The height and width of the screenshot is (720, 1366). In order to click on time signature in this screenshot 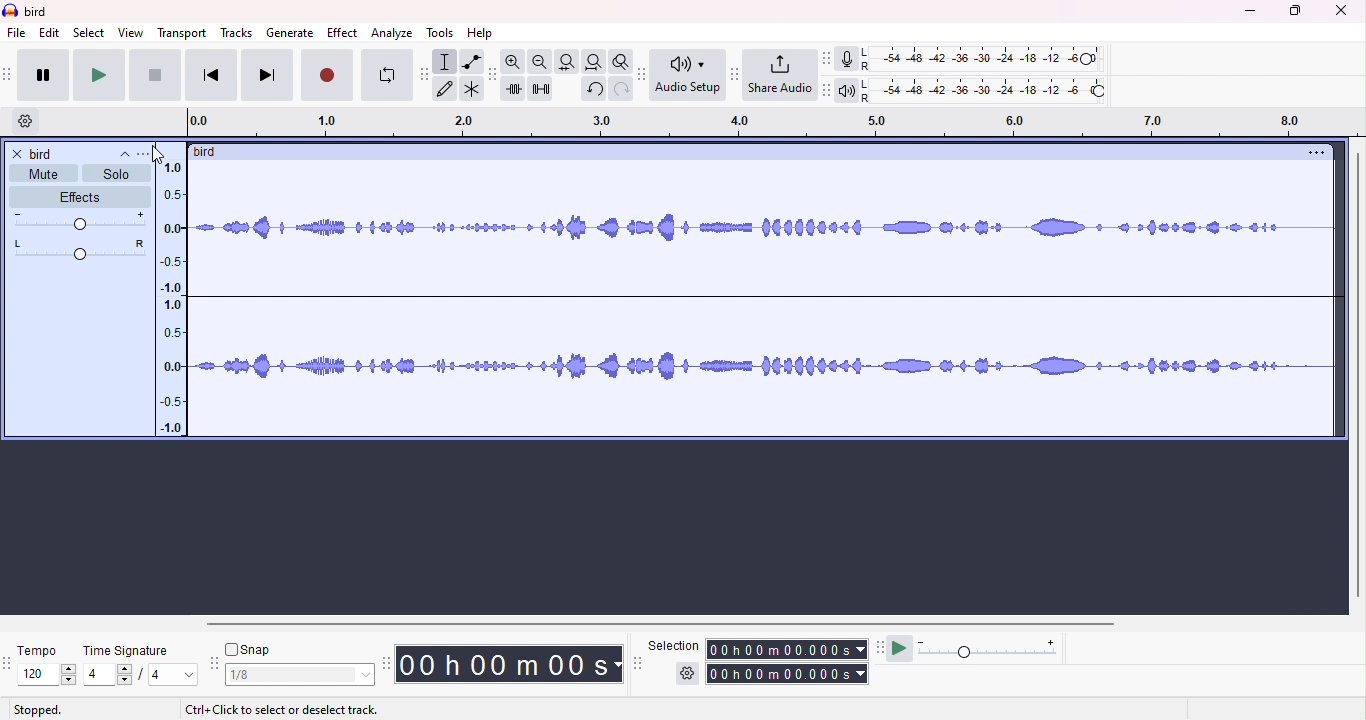, I will do `click(131, 651)`.